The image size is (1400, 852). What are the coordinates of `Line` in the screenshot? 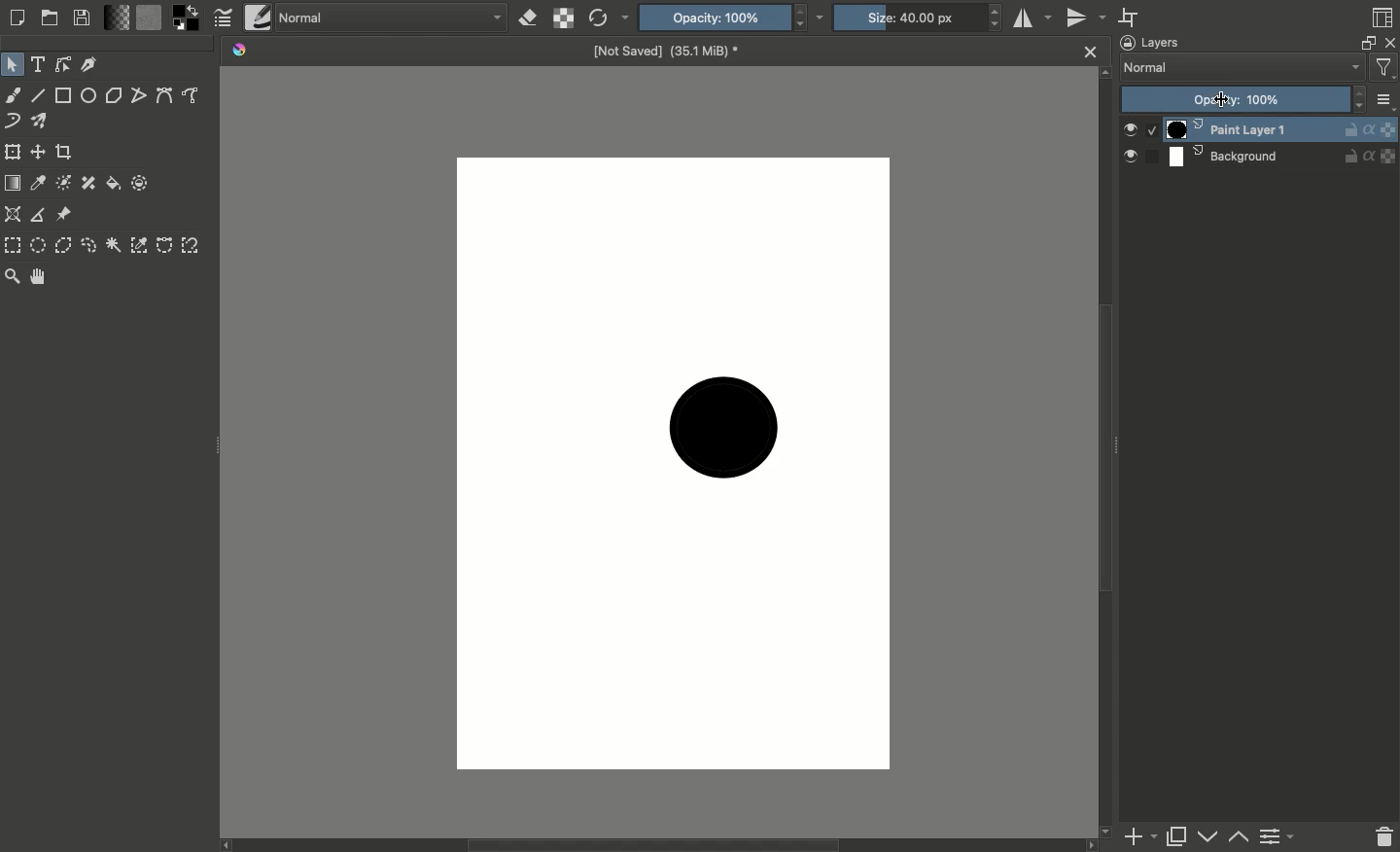 It's located at (37, 95).